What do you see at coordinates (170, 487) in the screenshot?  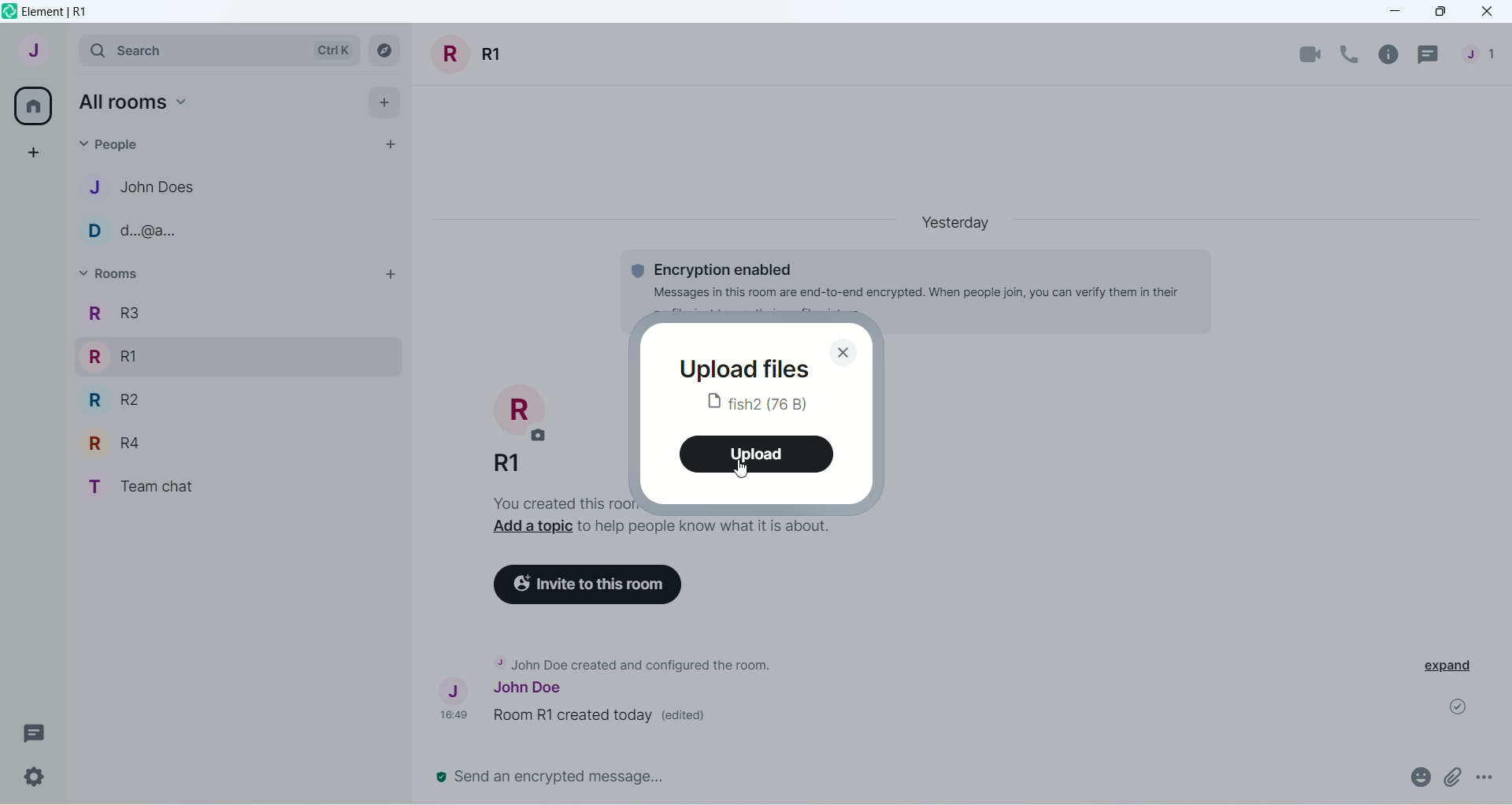 I see `T Team chat` at bounding box center [170, 487].